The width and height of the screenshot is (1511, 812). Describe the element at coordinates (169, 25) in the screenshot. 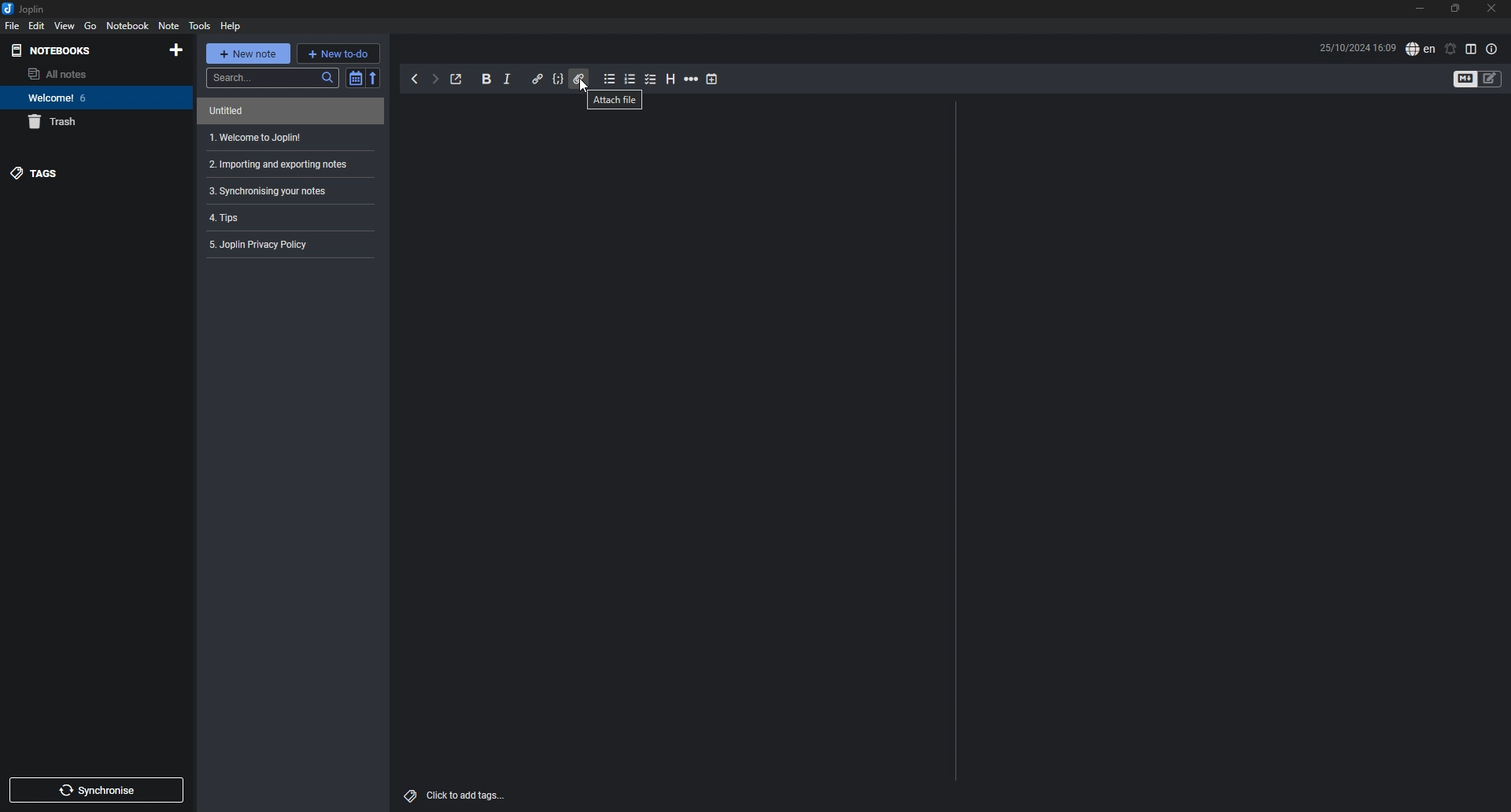

I see `note` at that location.